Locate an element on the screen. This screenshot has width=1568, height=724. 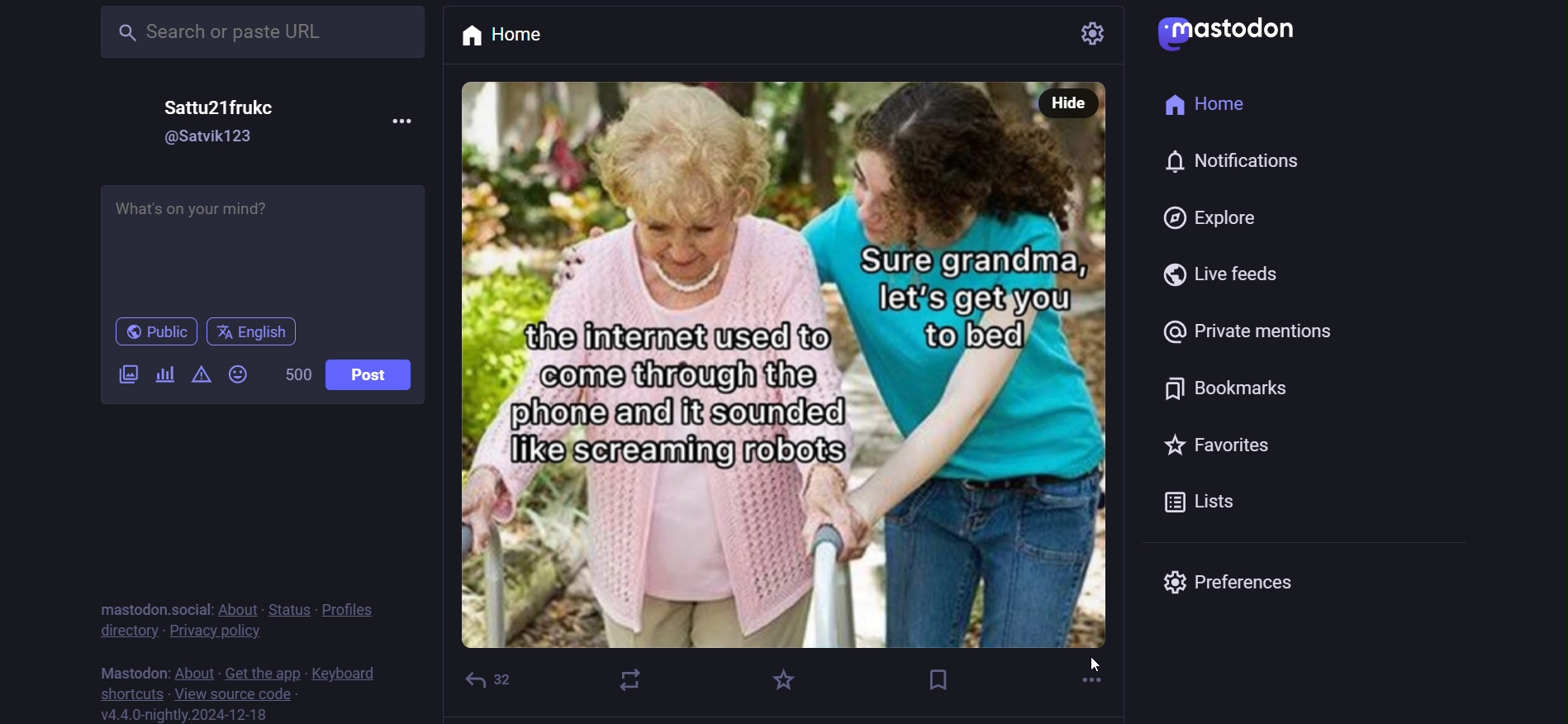
sattu21frukc is located at coordinates (232, 103).